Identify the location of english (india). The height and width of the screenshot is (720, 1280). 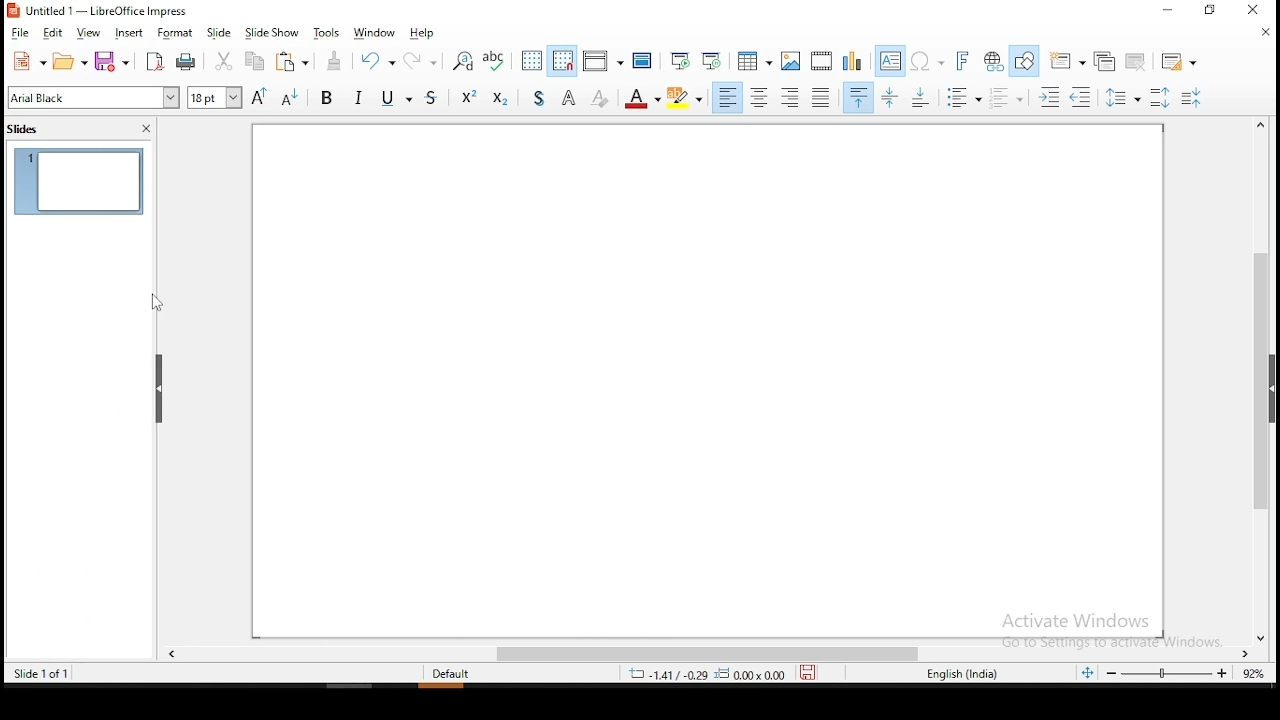
(962, 675).